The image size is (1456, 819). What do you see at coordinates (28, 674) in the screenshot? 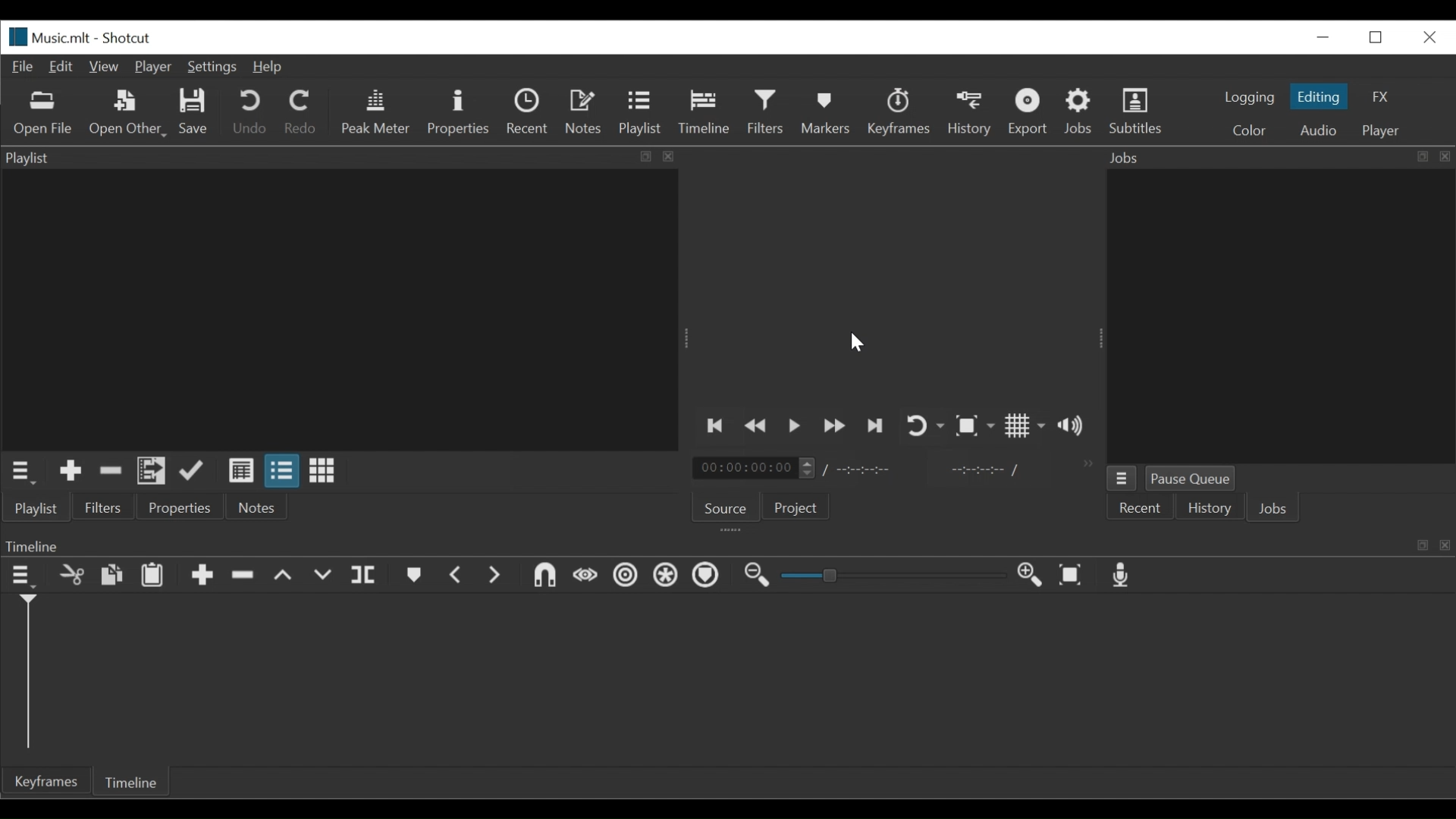
I see `Timeline cursor` at bounding box center [28, 674].